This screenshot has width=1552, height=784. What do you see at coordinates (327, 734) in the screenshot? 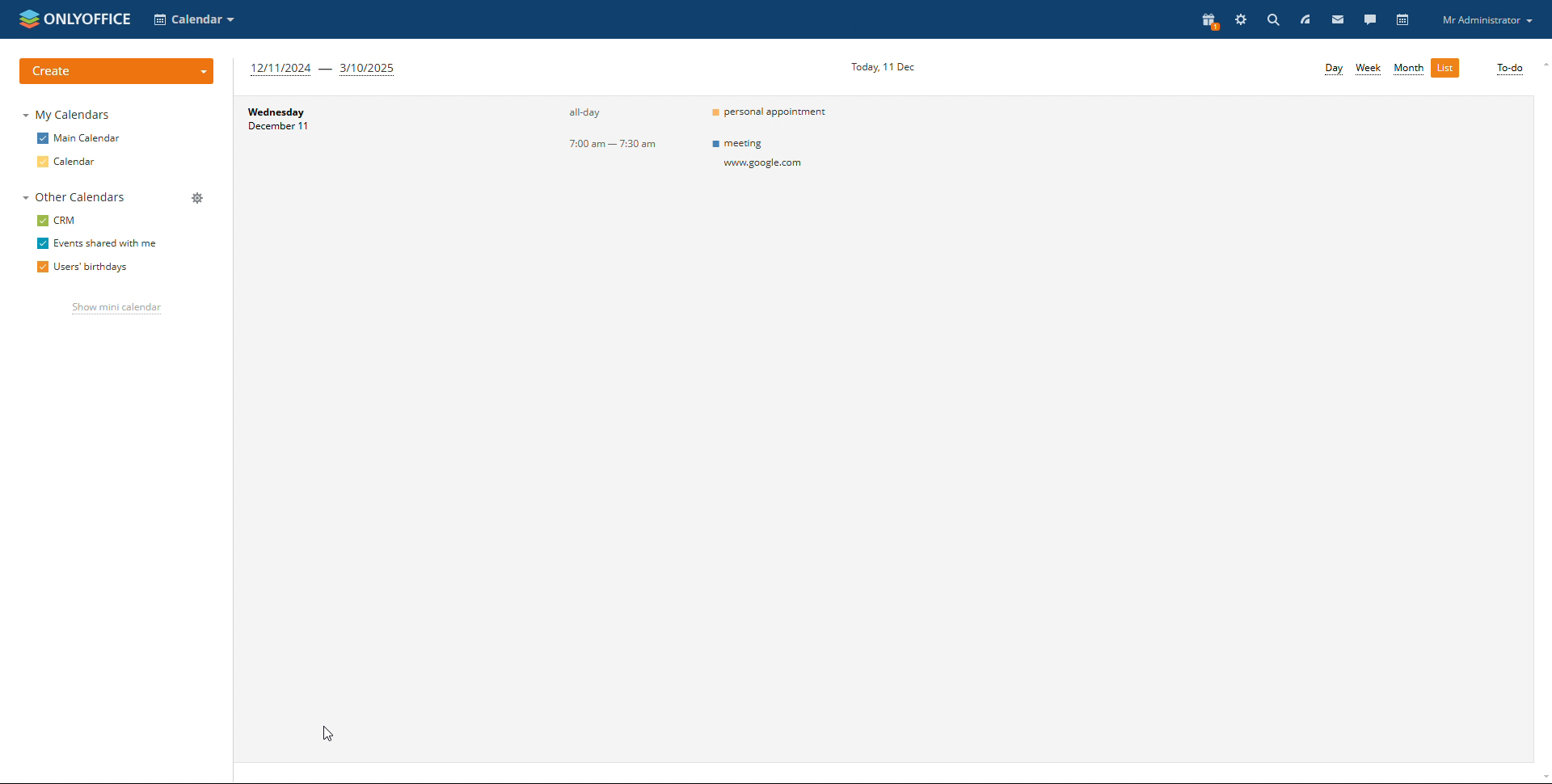
I see `cursor` at bounding box center [327, 734].